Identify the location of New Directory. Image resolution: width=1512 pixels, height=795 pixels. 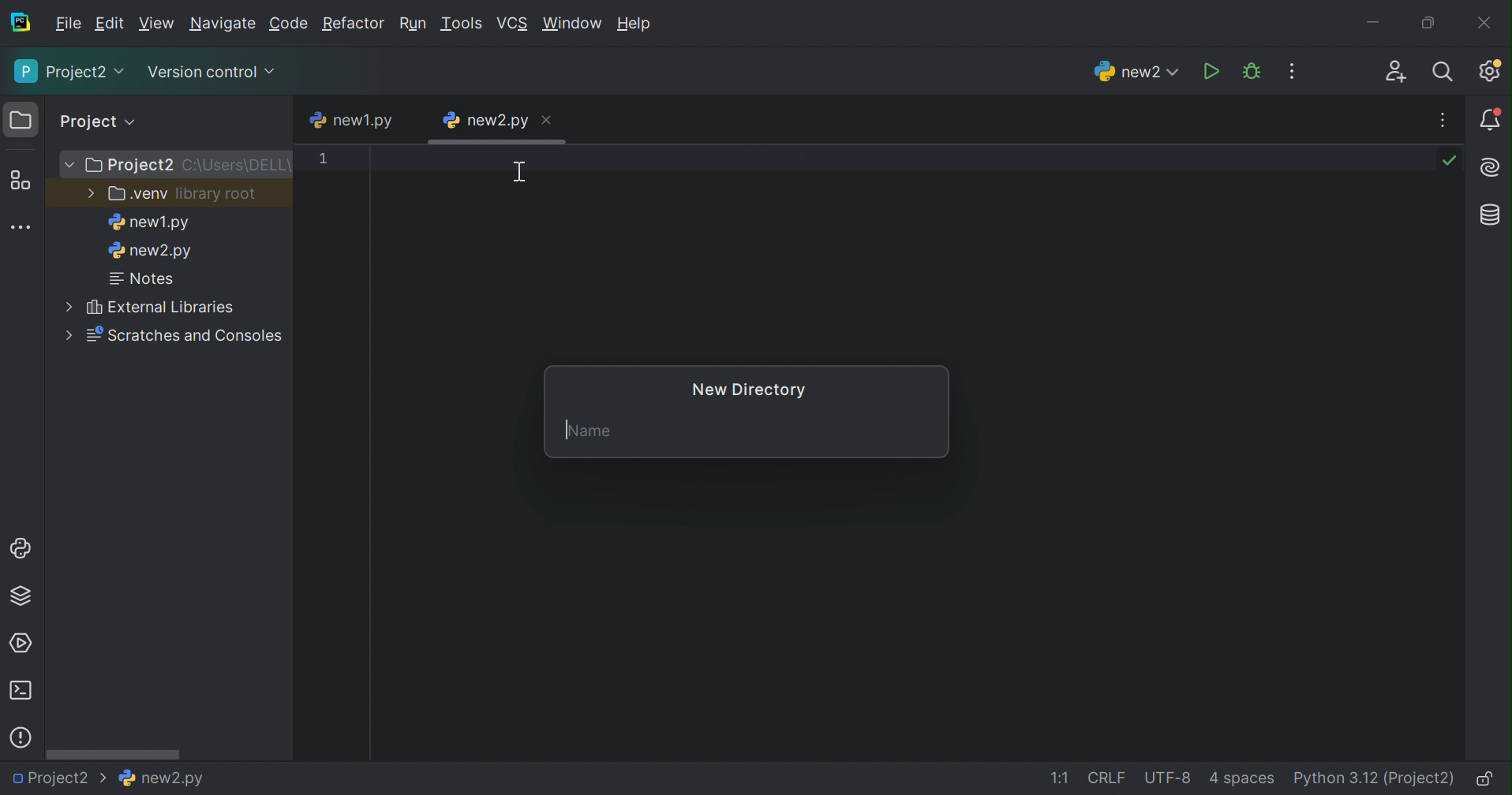
(747, 390).